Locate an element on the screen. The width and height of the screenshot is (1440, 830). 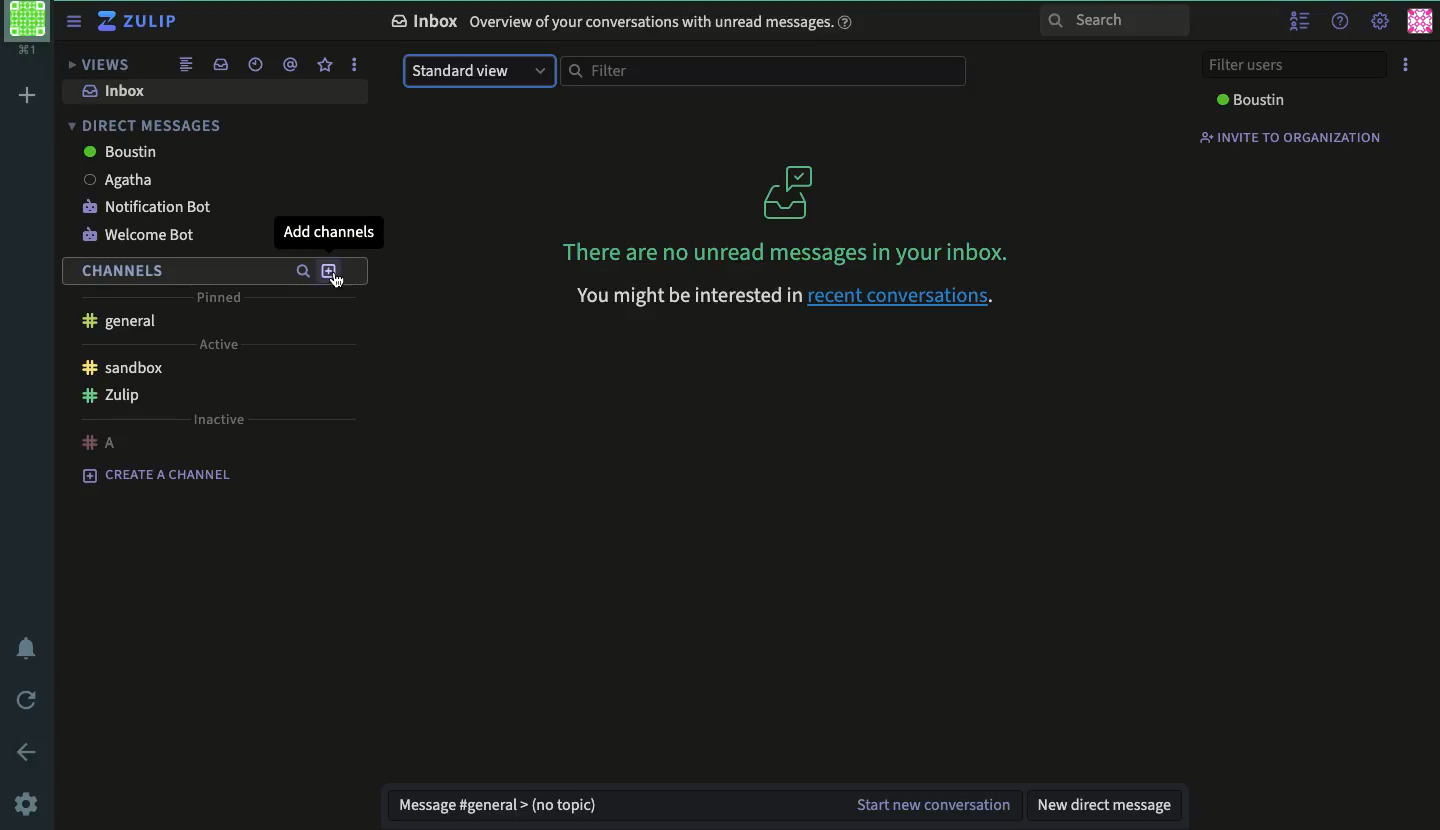
notification bot is located at coordinates (140, 208).